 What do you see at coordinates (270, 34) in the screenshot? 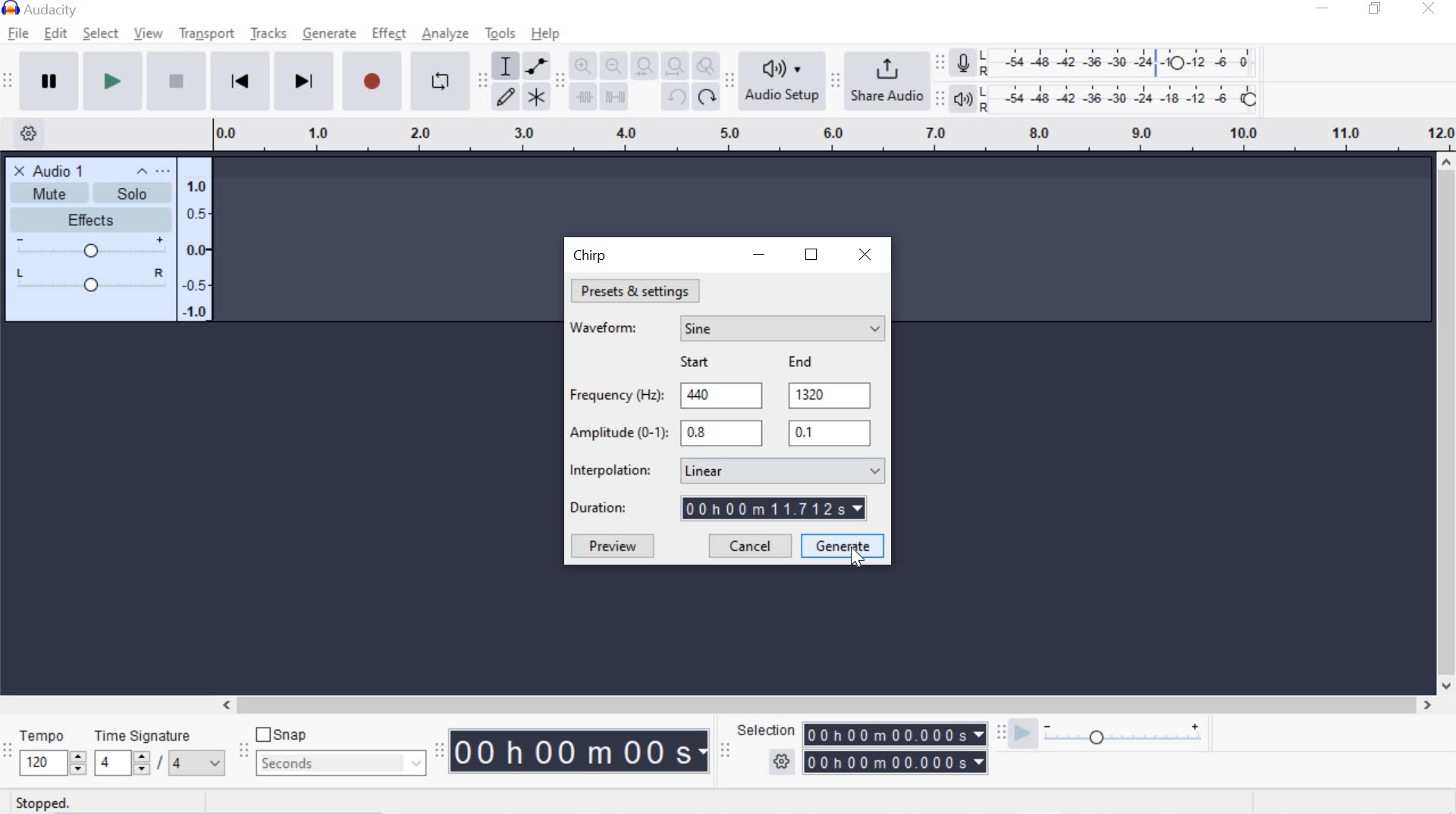
I see `tracks` at bounding box center [270, 34].